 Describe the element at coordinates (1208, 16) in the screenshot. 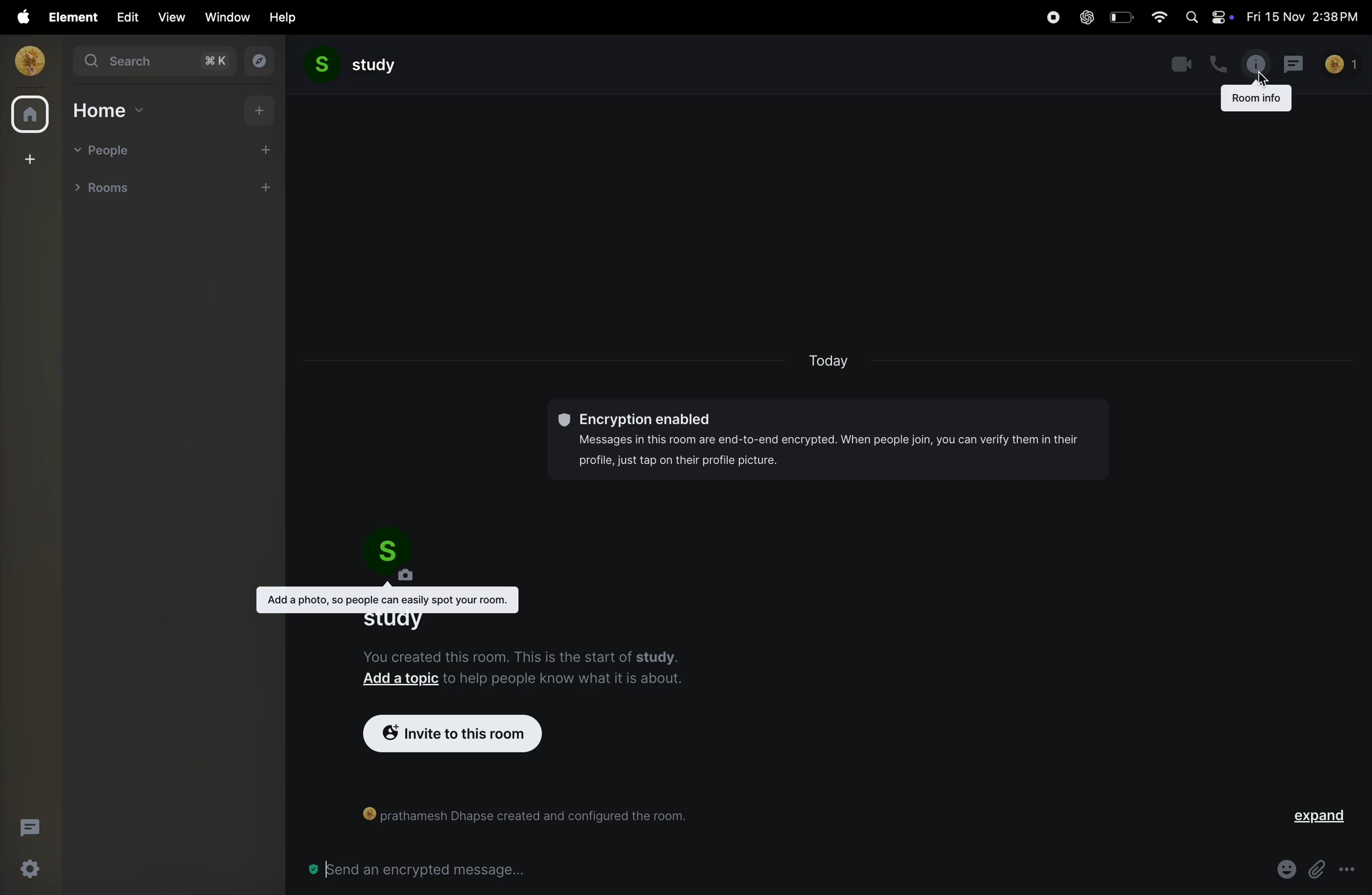

I see `apple widgets` at that location.